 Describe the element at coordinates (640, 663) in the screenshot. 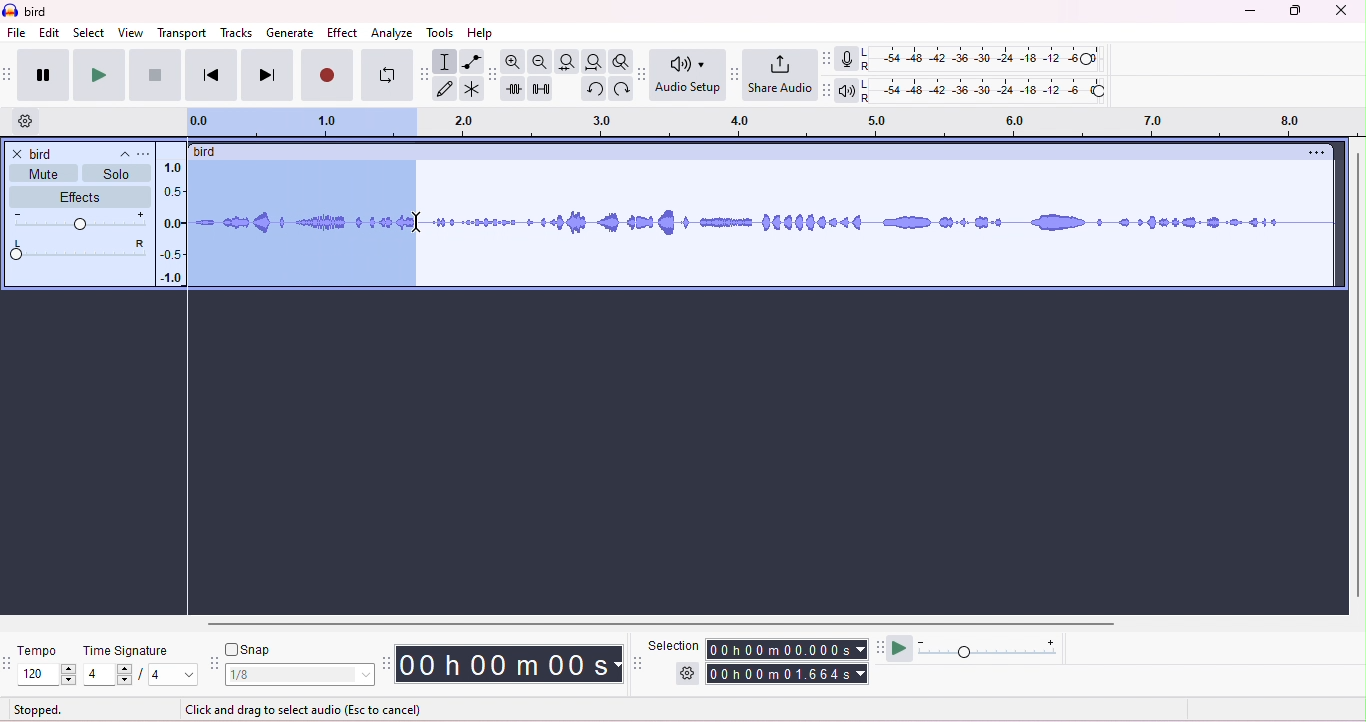

I see `selection tool` at that location.